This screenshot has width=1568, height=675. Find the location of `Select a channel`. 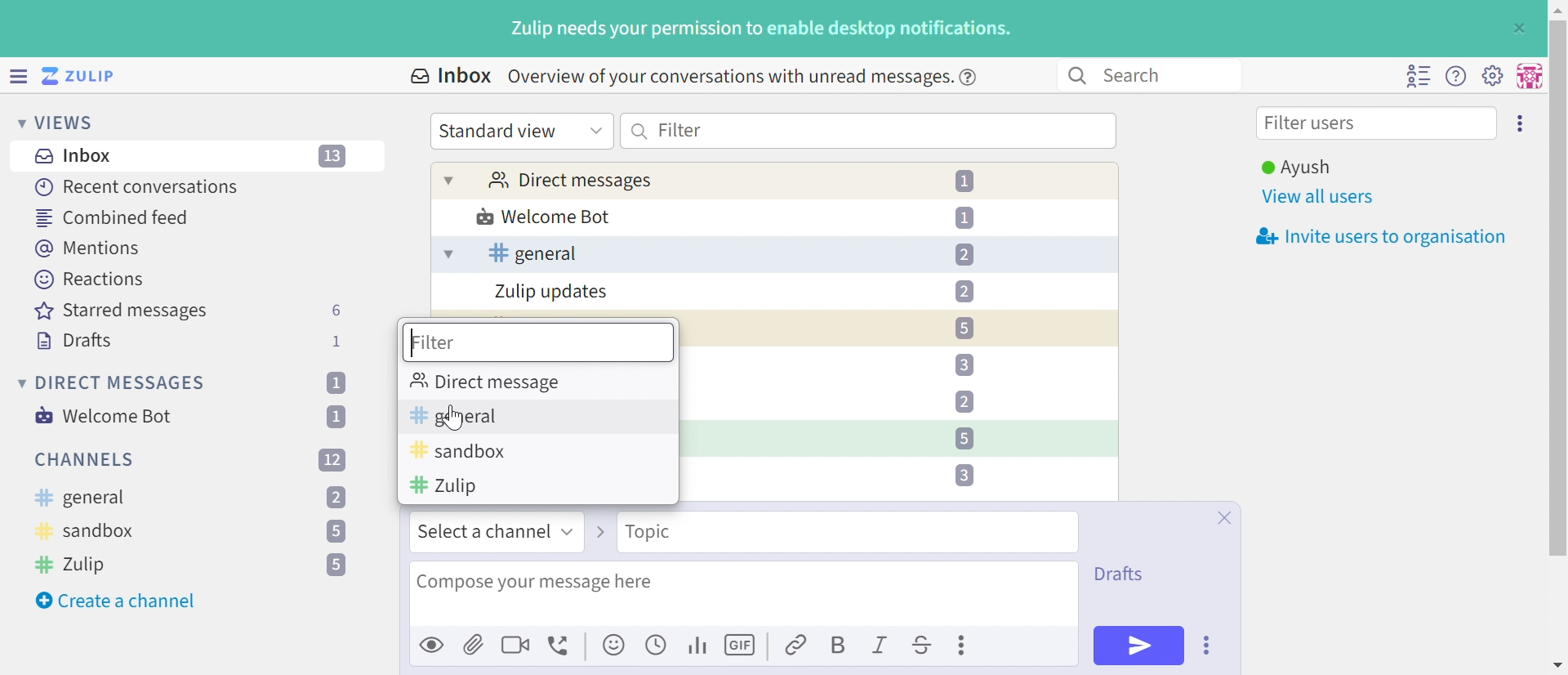

Select a channel is located at coordinates (484, 531).